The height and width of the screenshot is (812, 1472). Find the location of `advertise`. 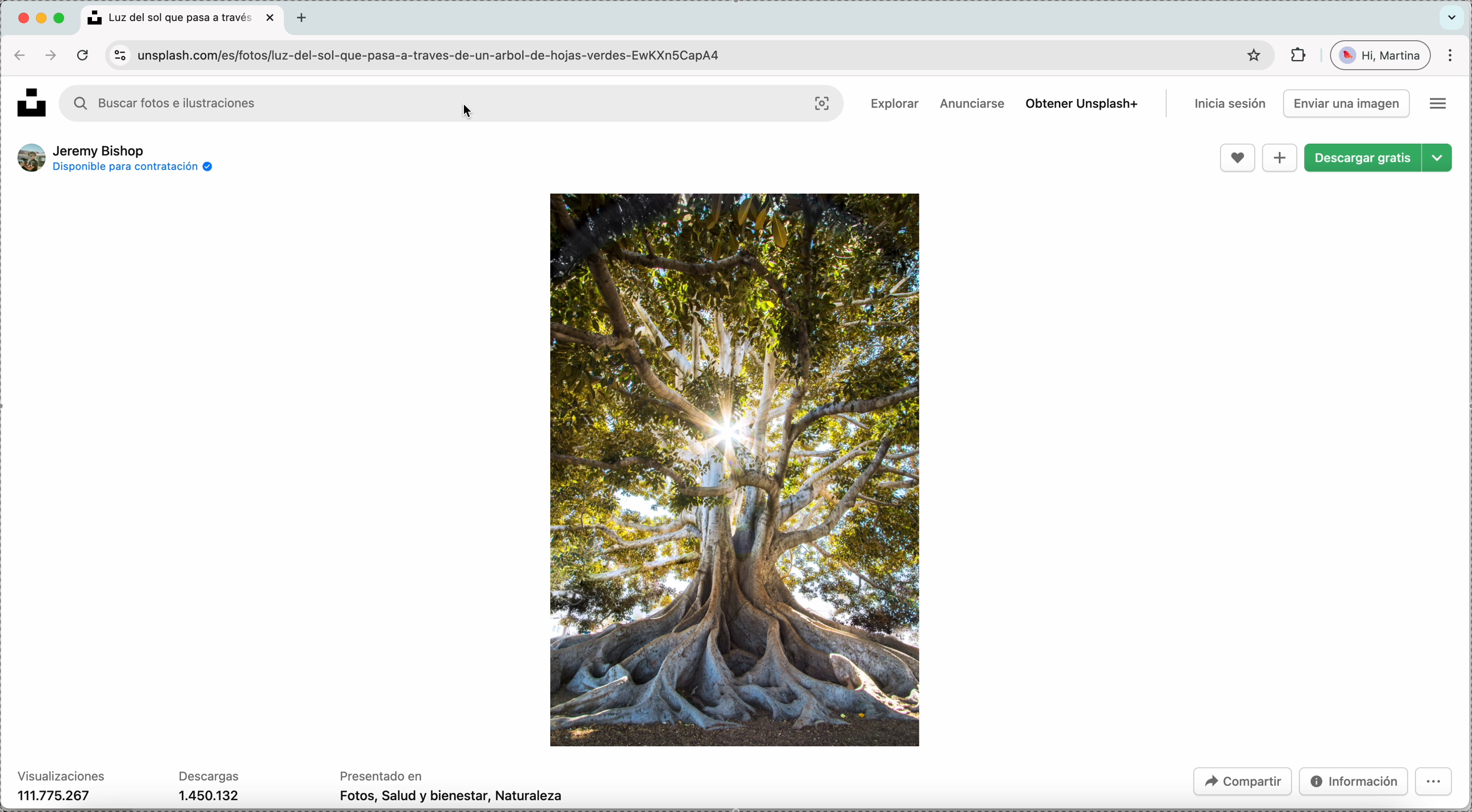

advertise is located at coordinates (974, 103).